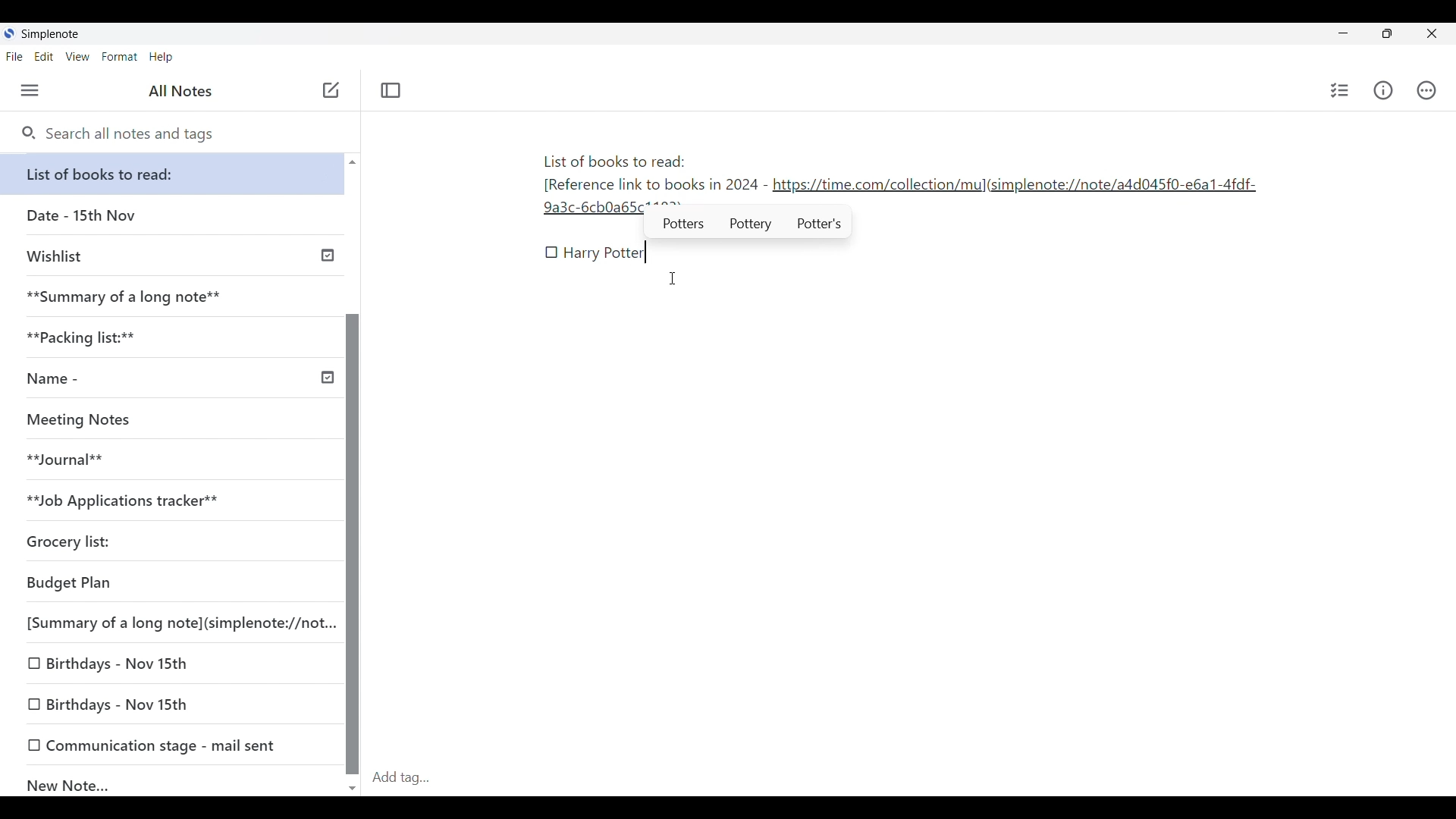  I want to click on Grocery list:, so click(167, 544).